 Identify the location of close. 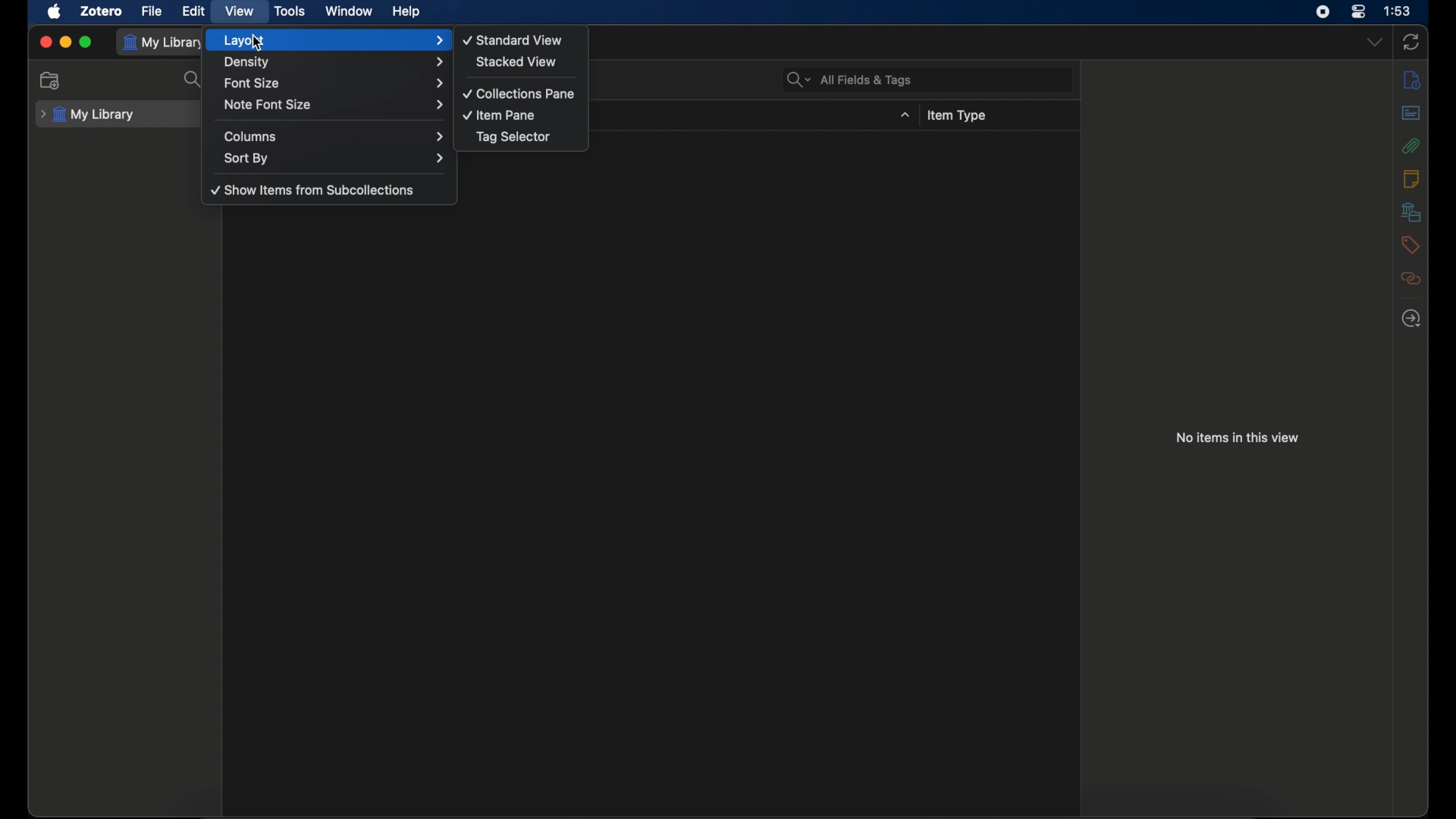
(45, 42).